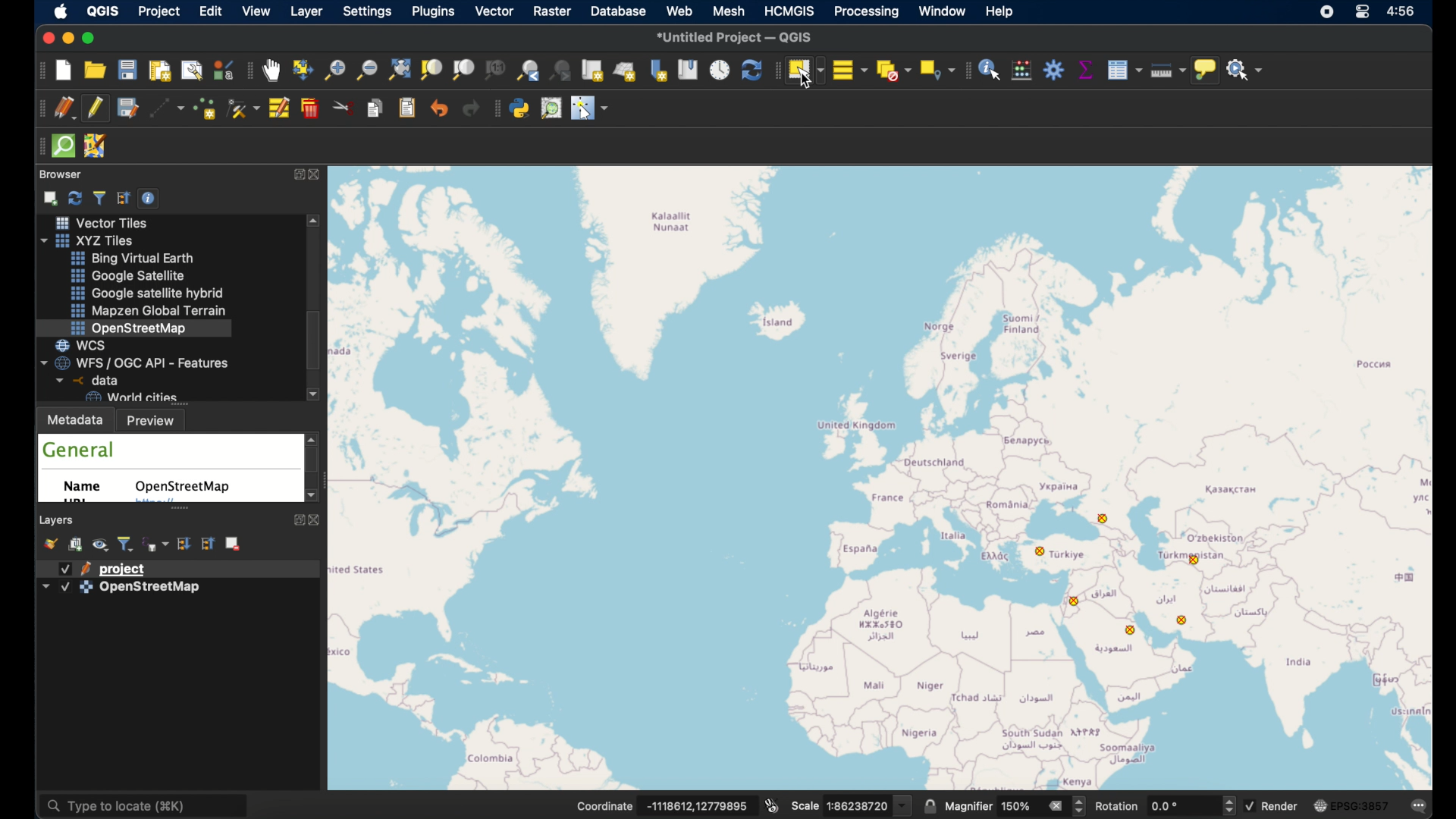  Describe the element at coordinates (858, 806) in the screenshot. I see `Scale value` at that location.